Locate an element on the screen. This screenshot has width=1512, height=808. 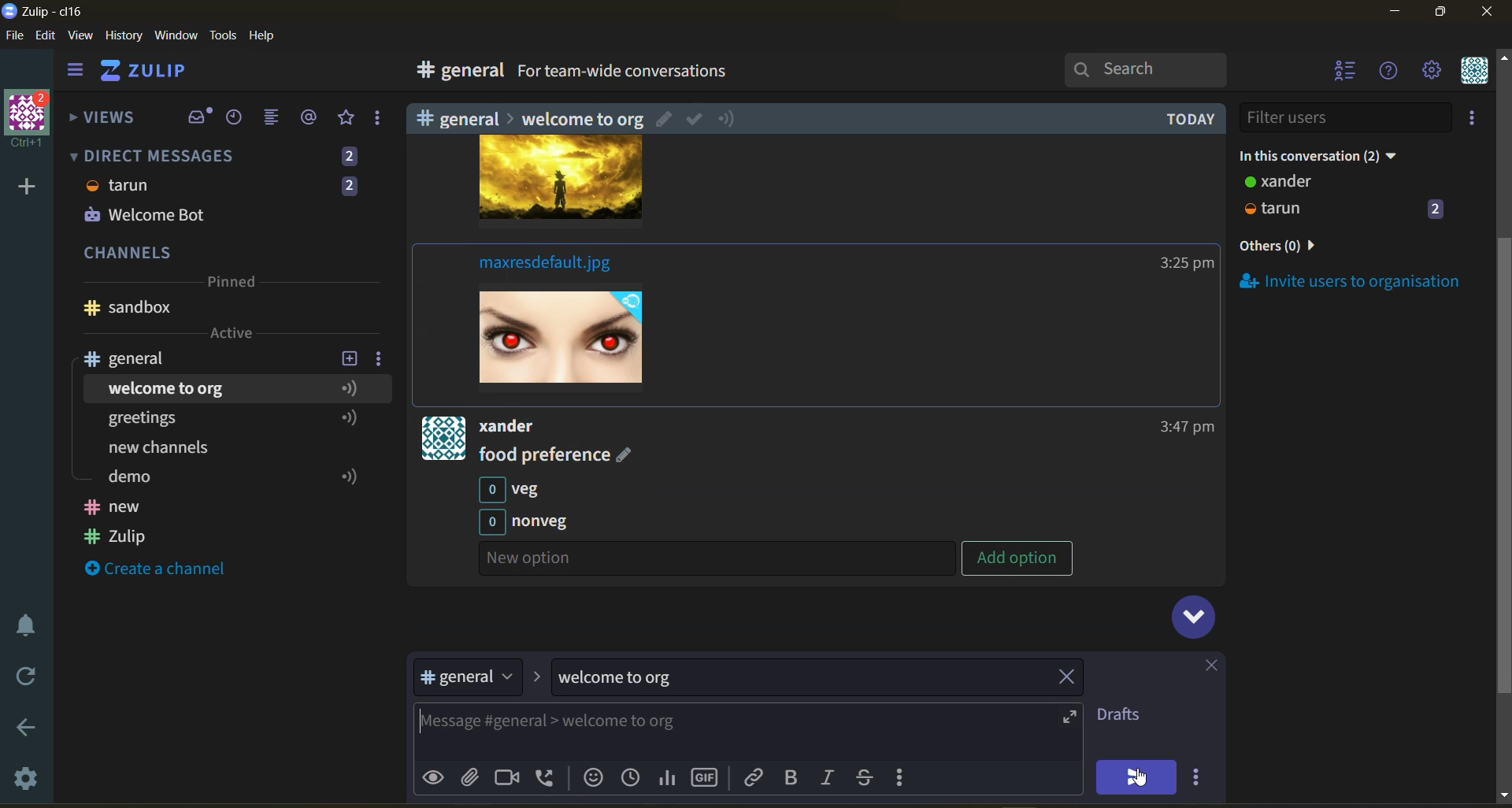
recent conversations is located at coordinates (239, 119).